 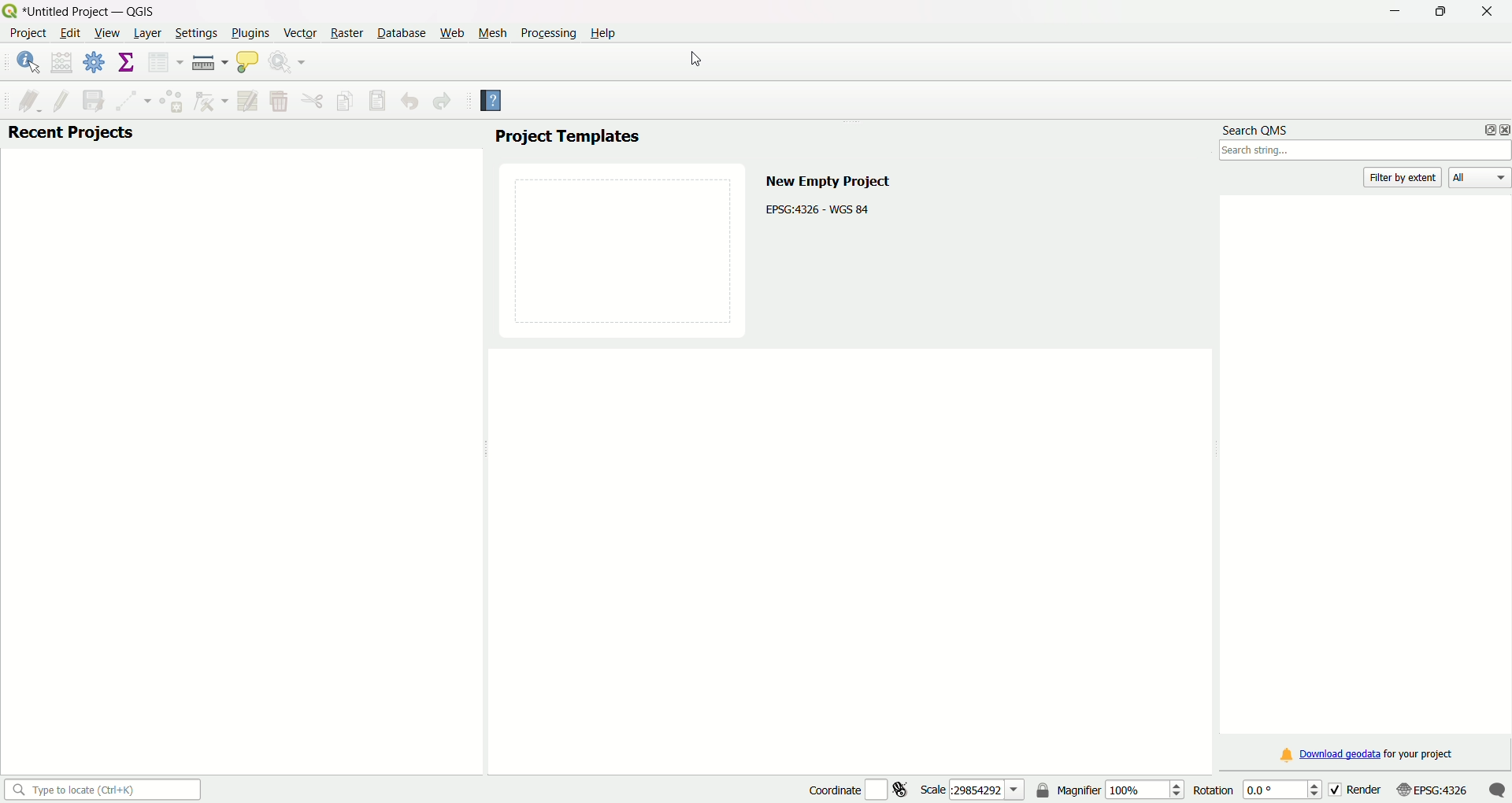 What do you see at coordinates (452, 31) in the screenshot?
I see `Web` at bounding box center [452, 31].